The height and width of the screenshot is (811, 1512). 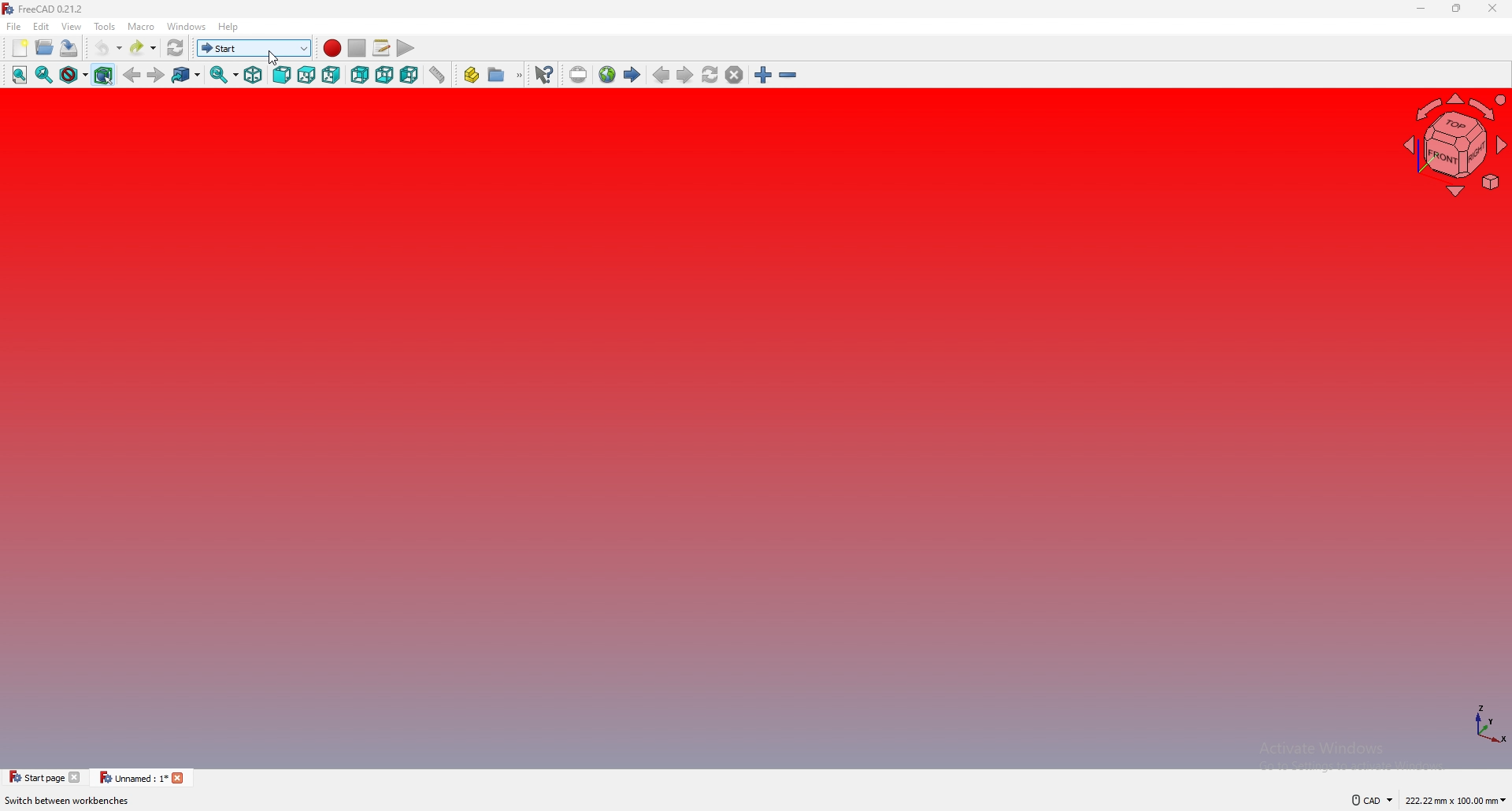 What do you see at coordinates (225, 75) in the screenshot?
I see `synced view` at bounding box center [225, 75].